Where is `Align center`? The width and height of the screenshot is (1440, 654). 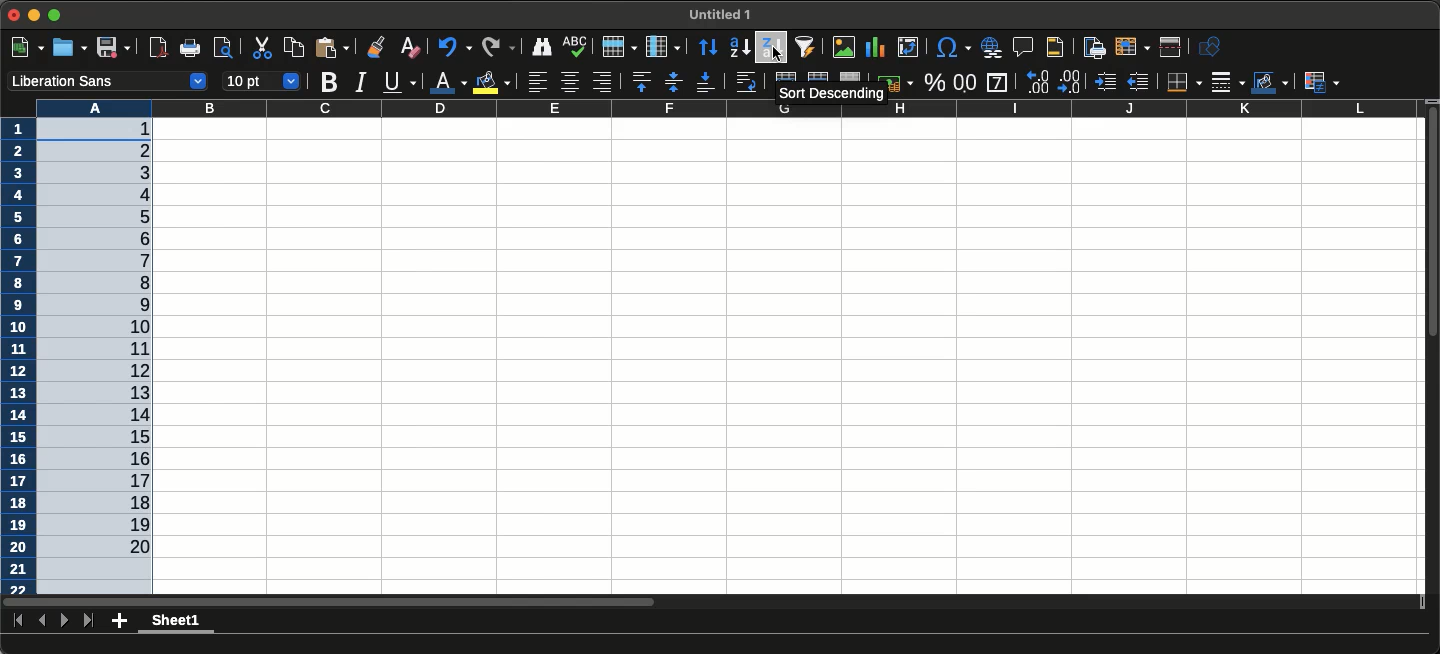
Align center is located at coordinates (570, 82).